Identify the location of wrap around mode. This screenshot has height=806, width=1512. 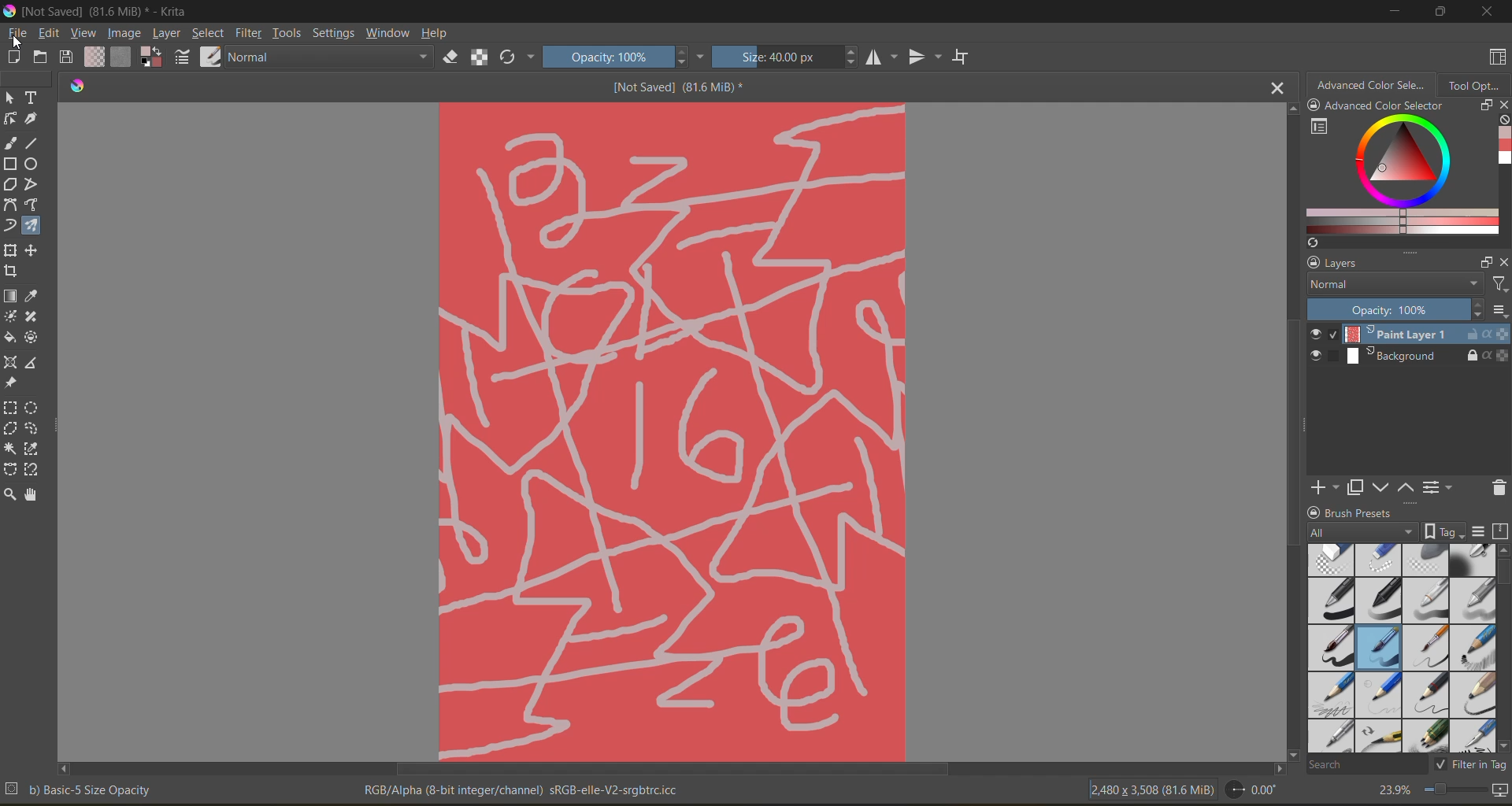
(965, 57).